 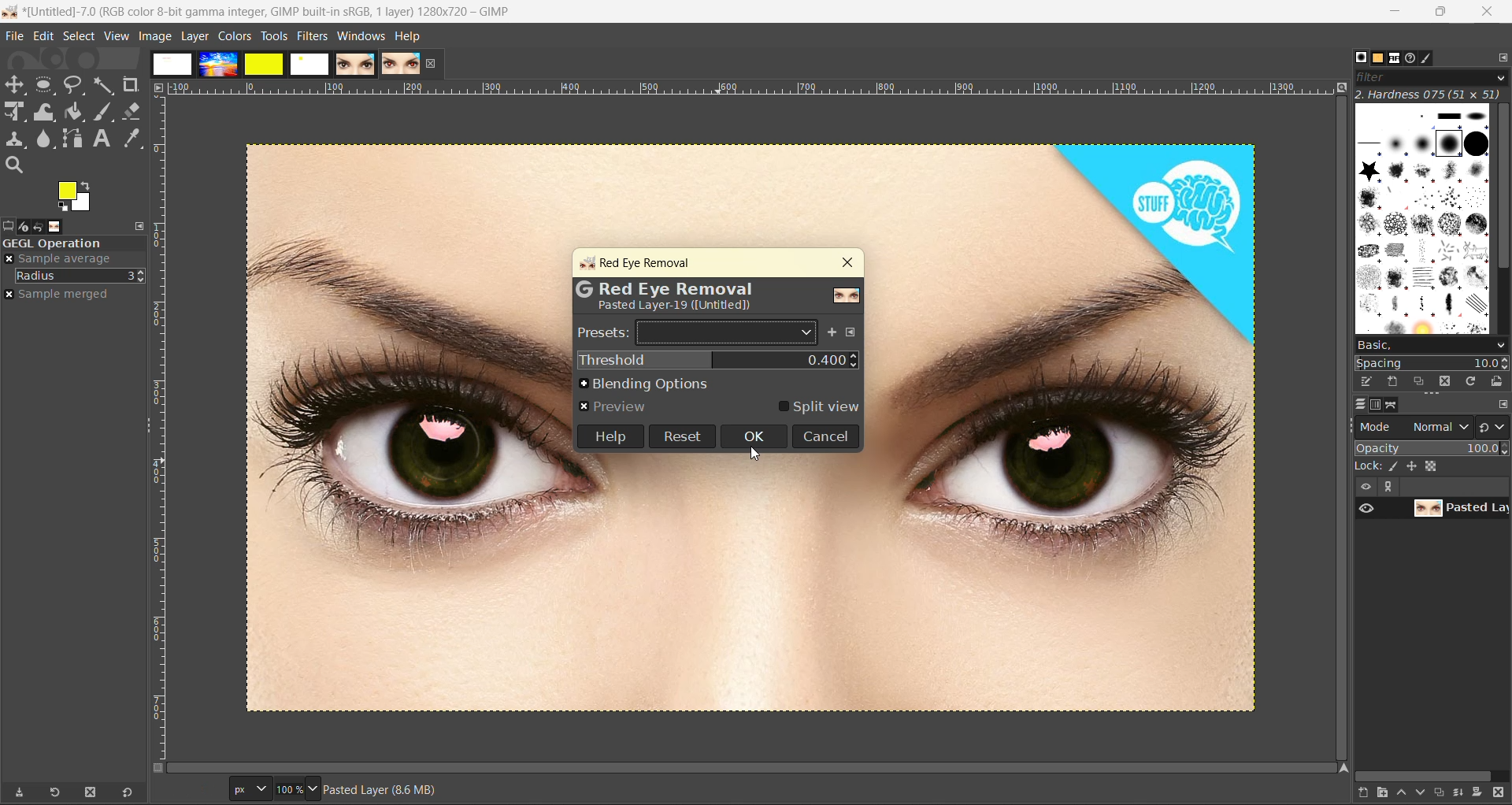 I want to click on configure, so click(x=1502, y=404).